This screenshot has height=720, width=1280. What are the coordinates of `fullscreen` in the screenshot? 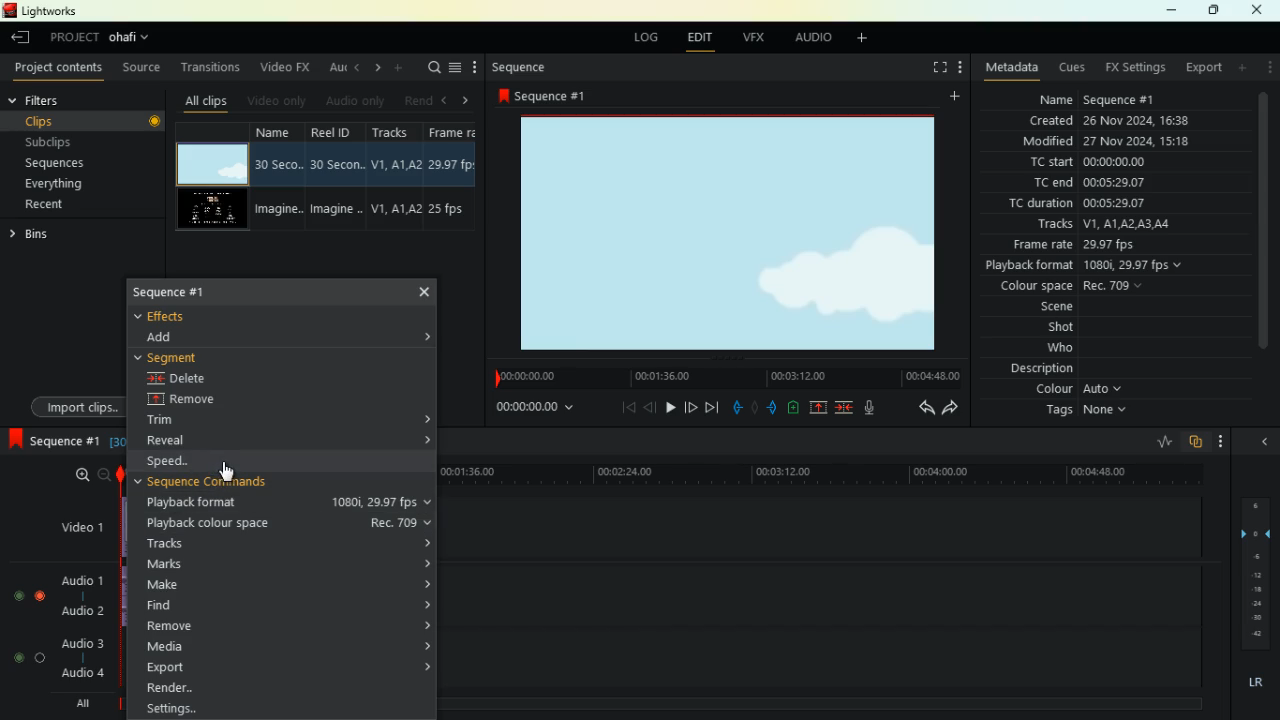 It's located at (930, 67).